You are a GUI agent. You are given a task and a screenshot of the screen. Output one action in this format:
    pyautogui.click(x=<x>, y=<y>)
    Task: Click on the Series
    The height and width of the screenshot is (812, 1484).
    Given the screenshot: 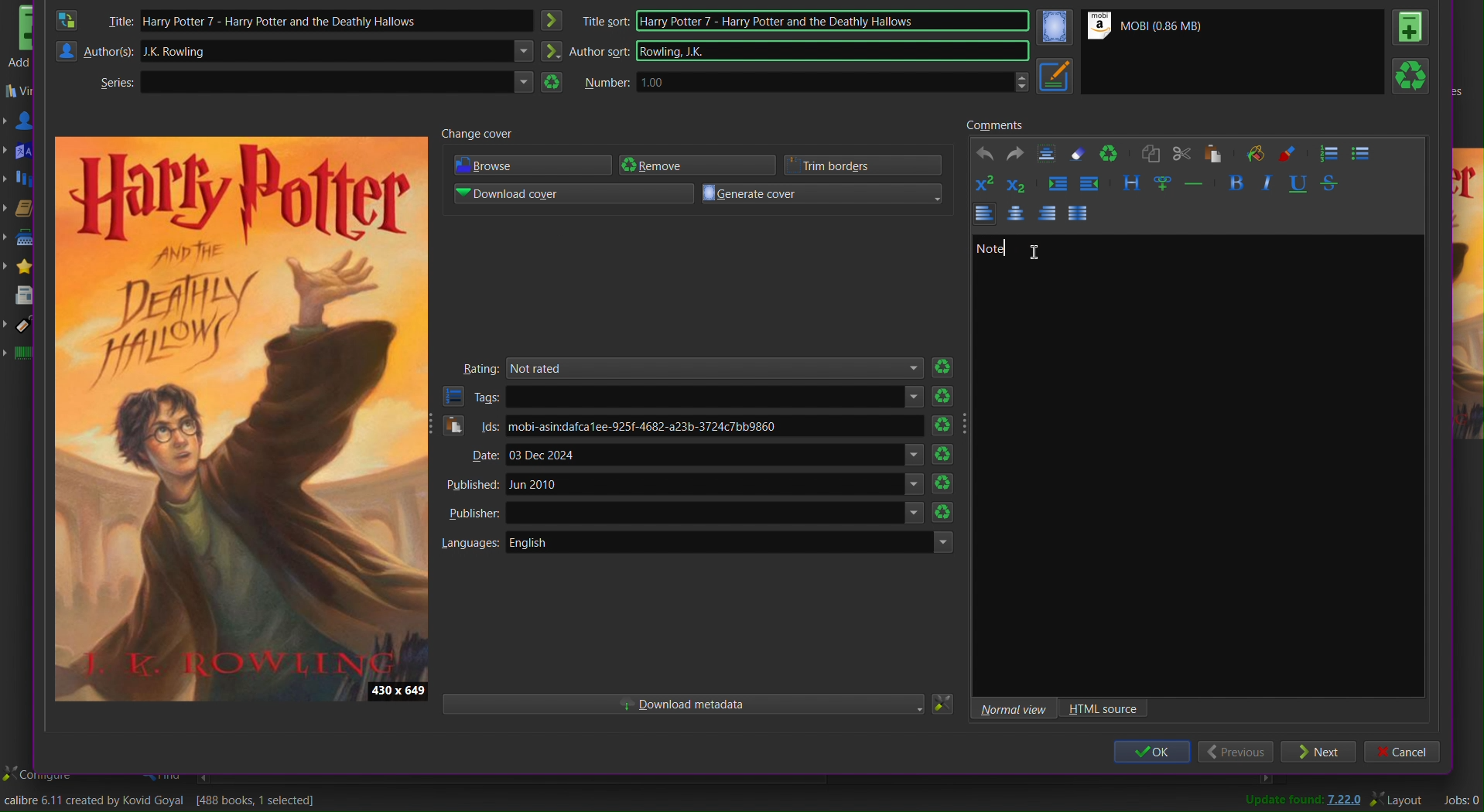 What is the action you would take?
    pyautogui.click(x=25, y=181)
    